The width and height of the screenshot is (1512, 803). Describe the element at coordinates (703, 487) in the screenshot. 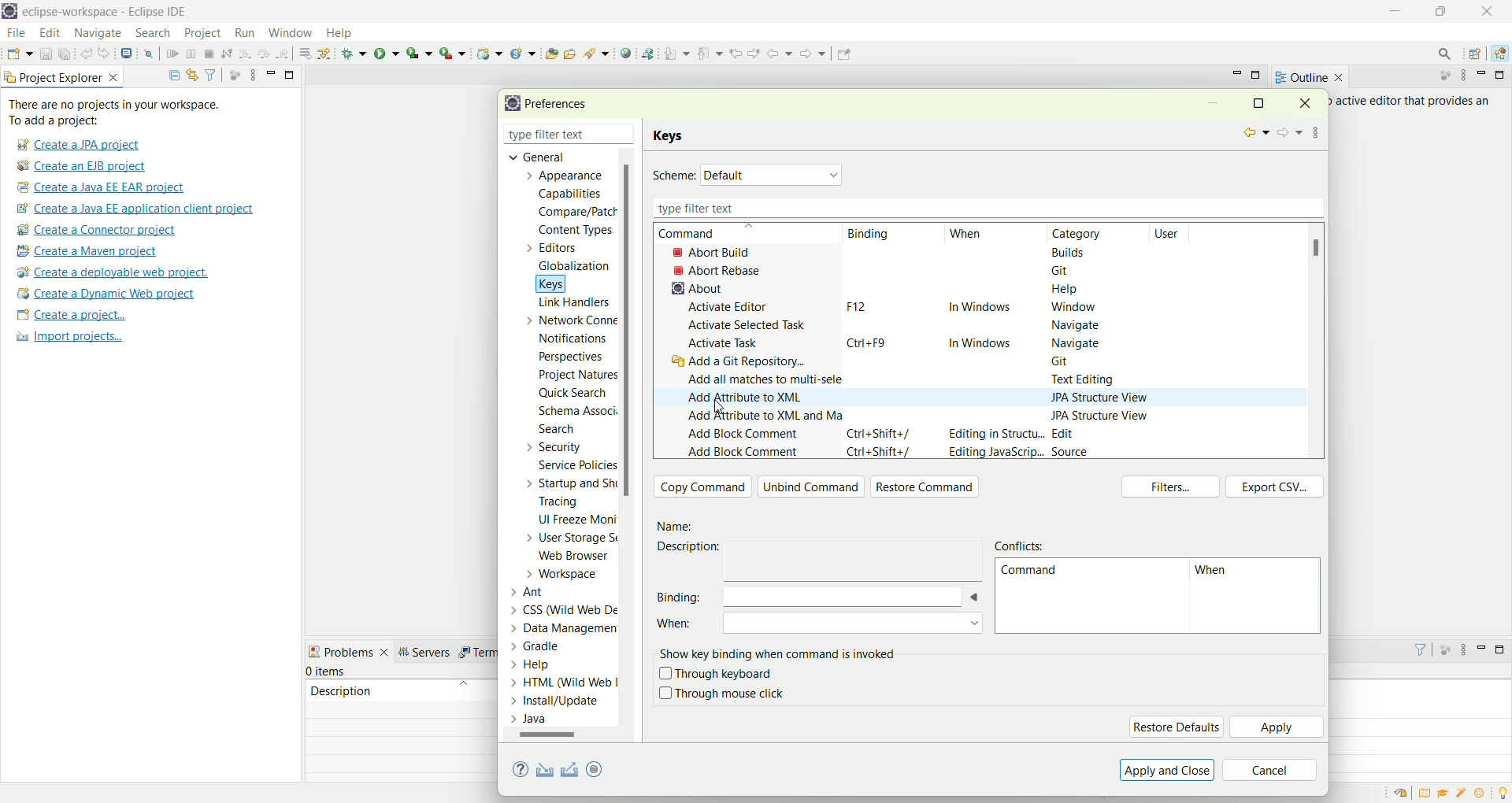

I see `copy command` at that location.